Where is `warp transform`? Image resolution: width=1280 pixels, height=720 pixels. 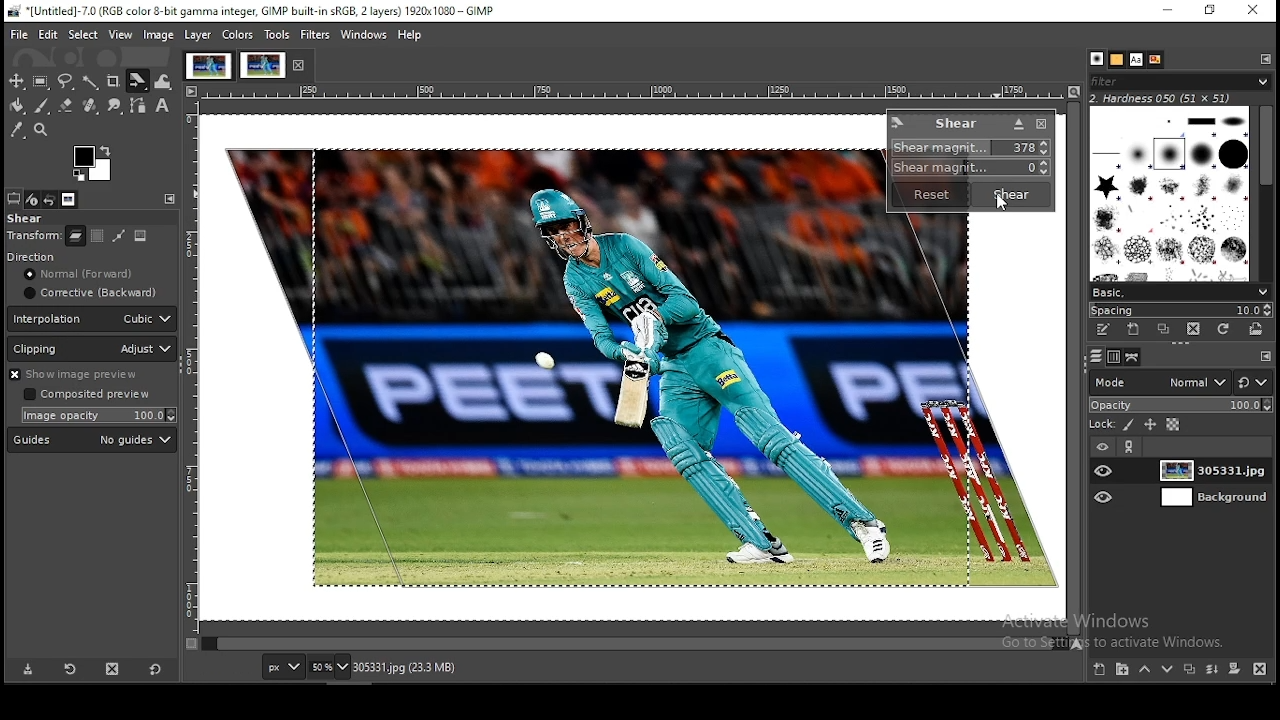 warp transform is located at coordinates (167, 82).